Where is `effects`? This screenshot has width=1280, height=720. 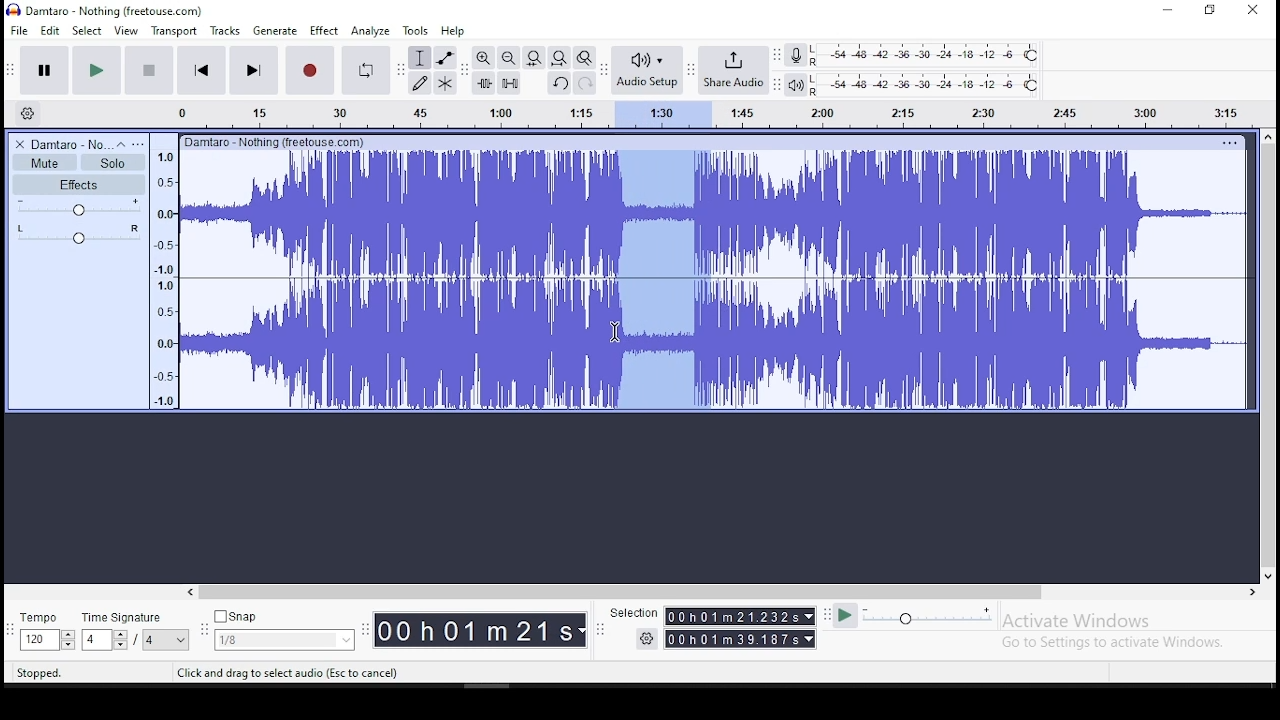 effects is located at coordinates (79, 184).